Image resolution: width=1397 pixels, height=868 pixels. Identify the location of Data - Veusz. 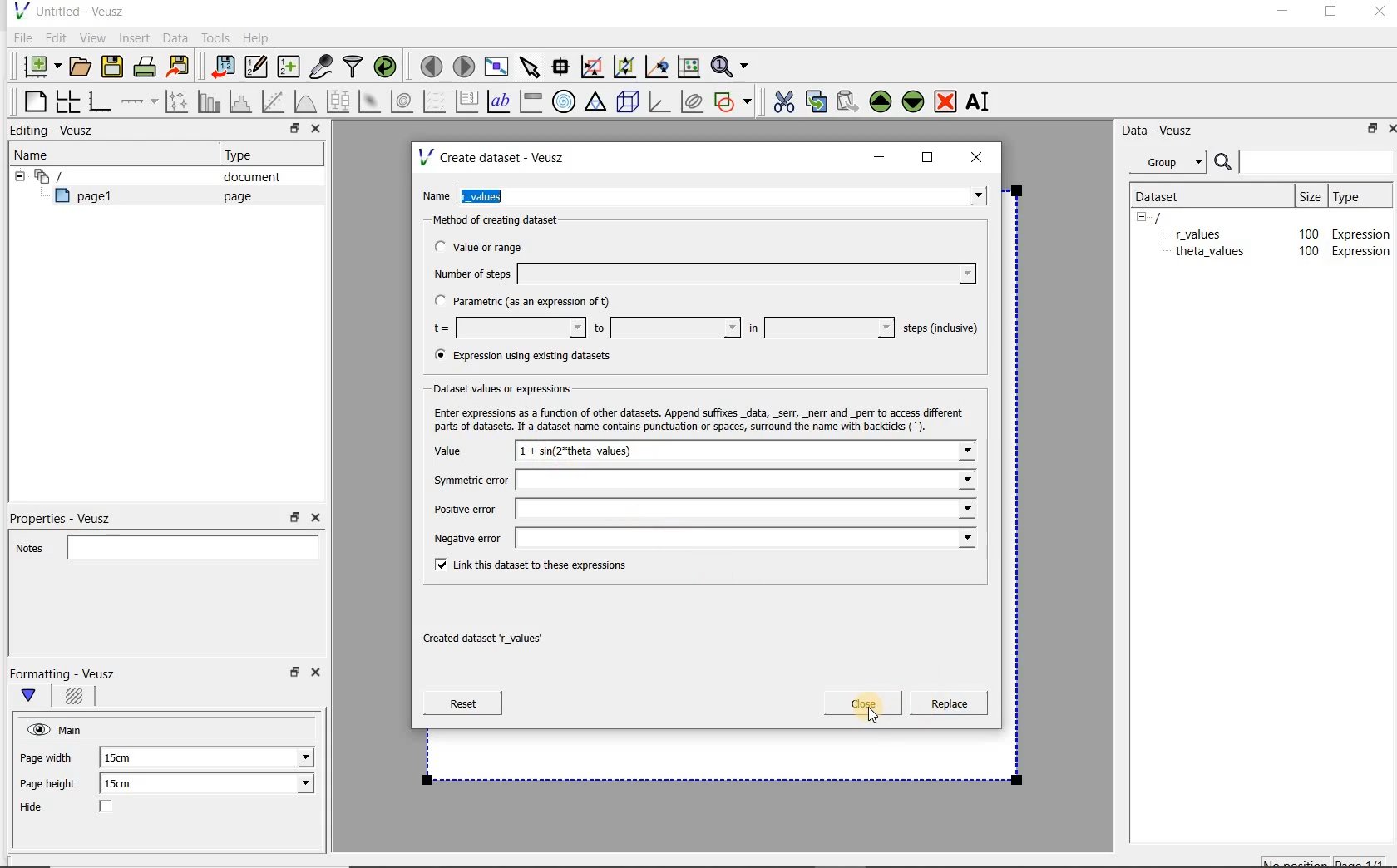
(1163, 130).